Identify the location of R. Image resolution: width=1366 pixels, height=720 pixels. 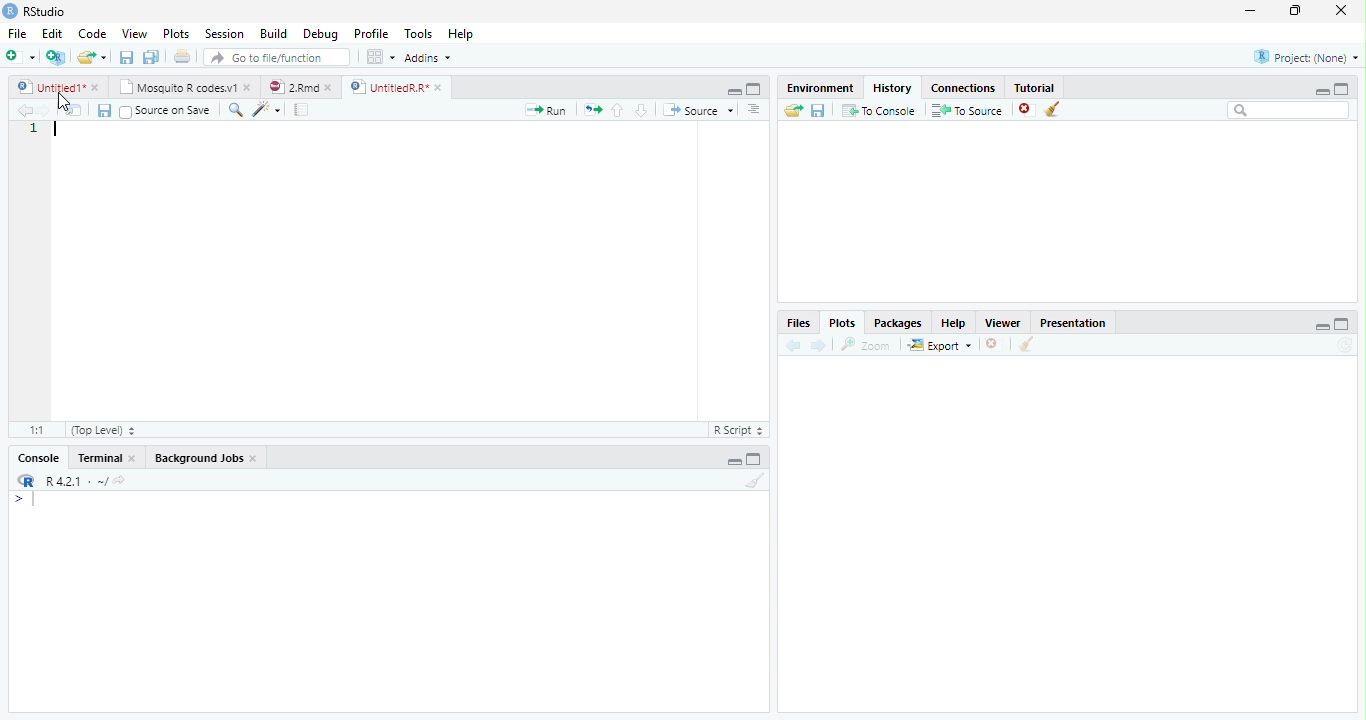
(26, 481).